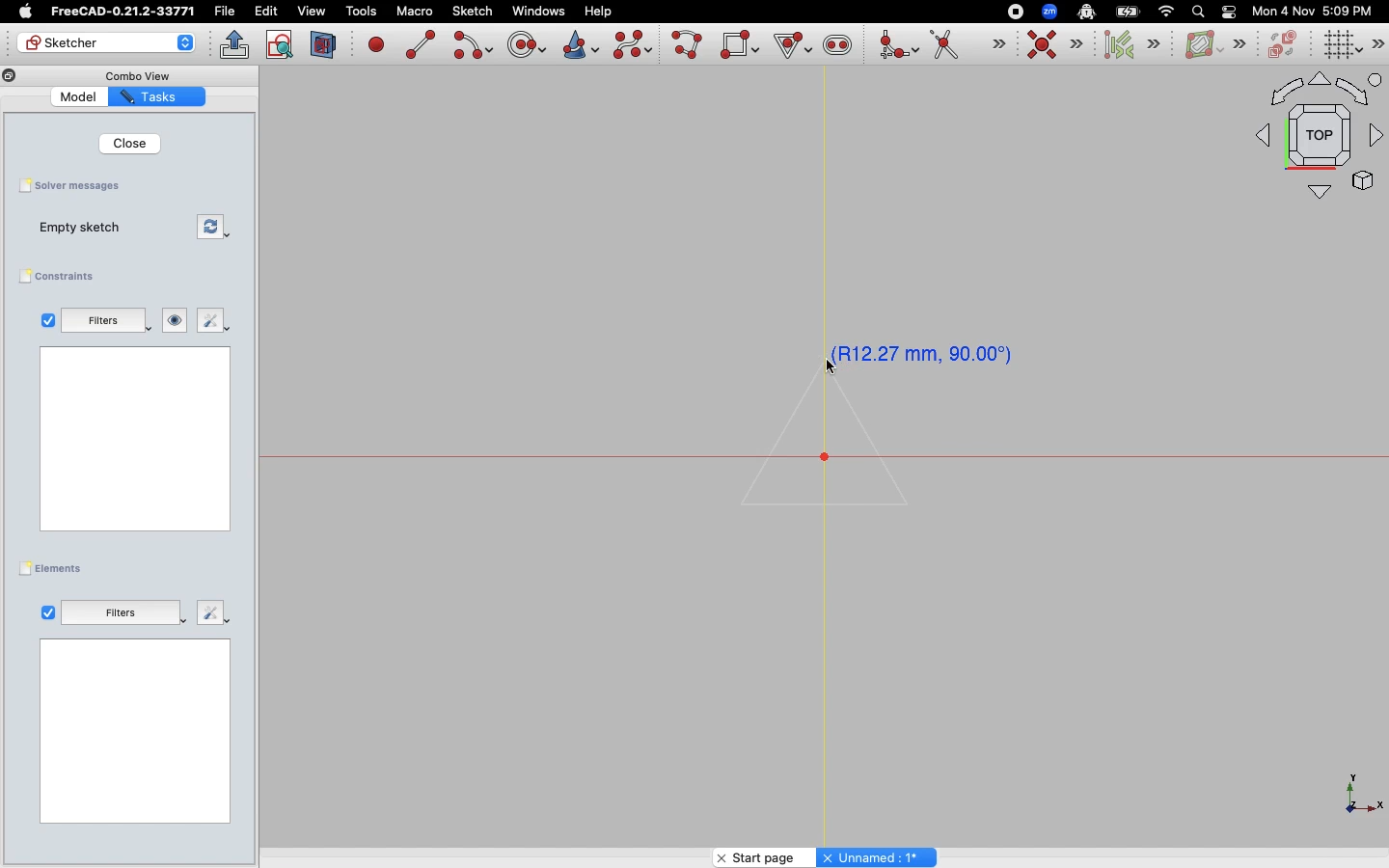  Describe the element at coordinates (81, 98) in the screenshot. I see `Model` at that location.